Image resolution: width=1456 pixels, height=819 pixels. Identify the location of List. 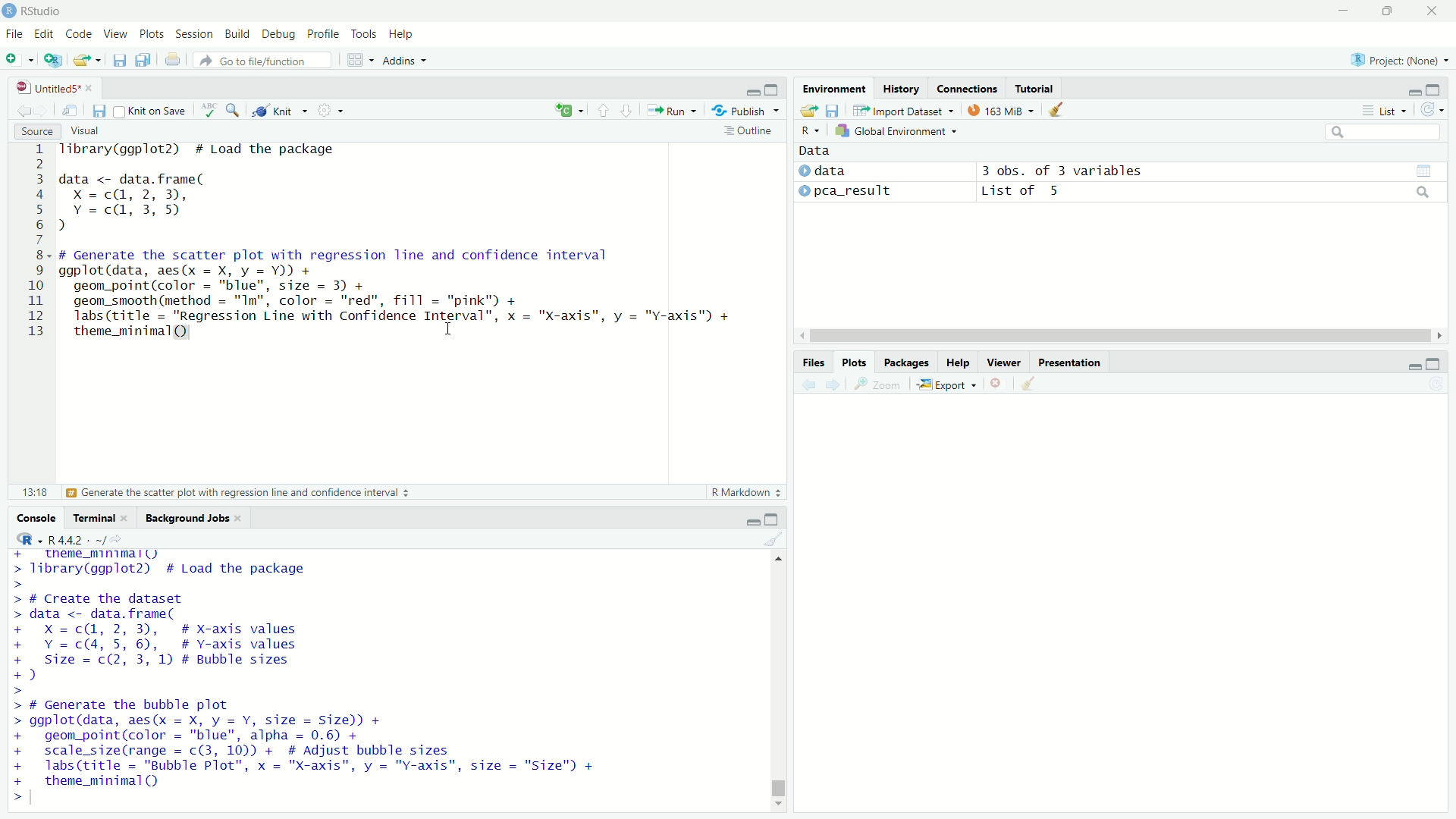
(1383, 110).